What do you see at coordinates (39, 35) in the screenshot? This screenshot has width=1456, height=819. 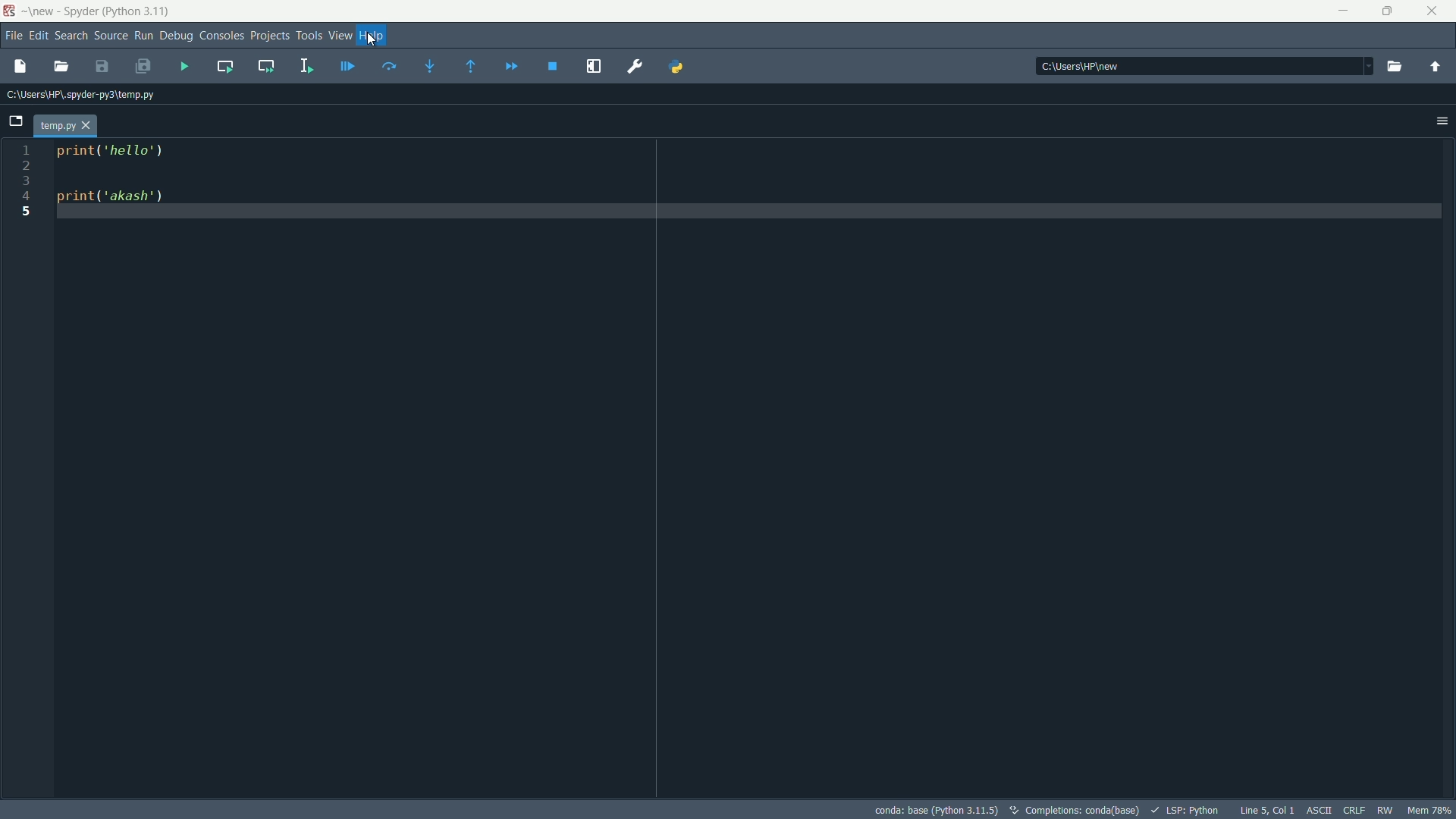 I see `edit menu` at bounding box center [39, 35].